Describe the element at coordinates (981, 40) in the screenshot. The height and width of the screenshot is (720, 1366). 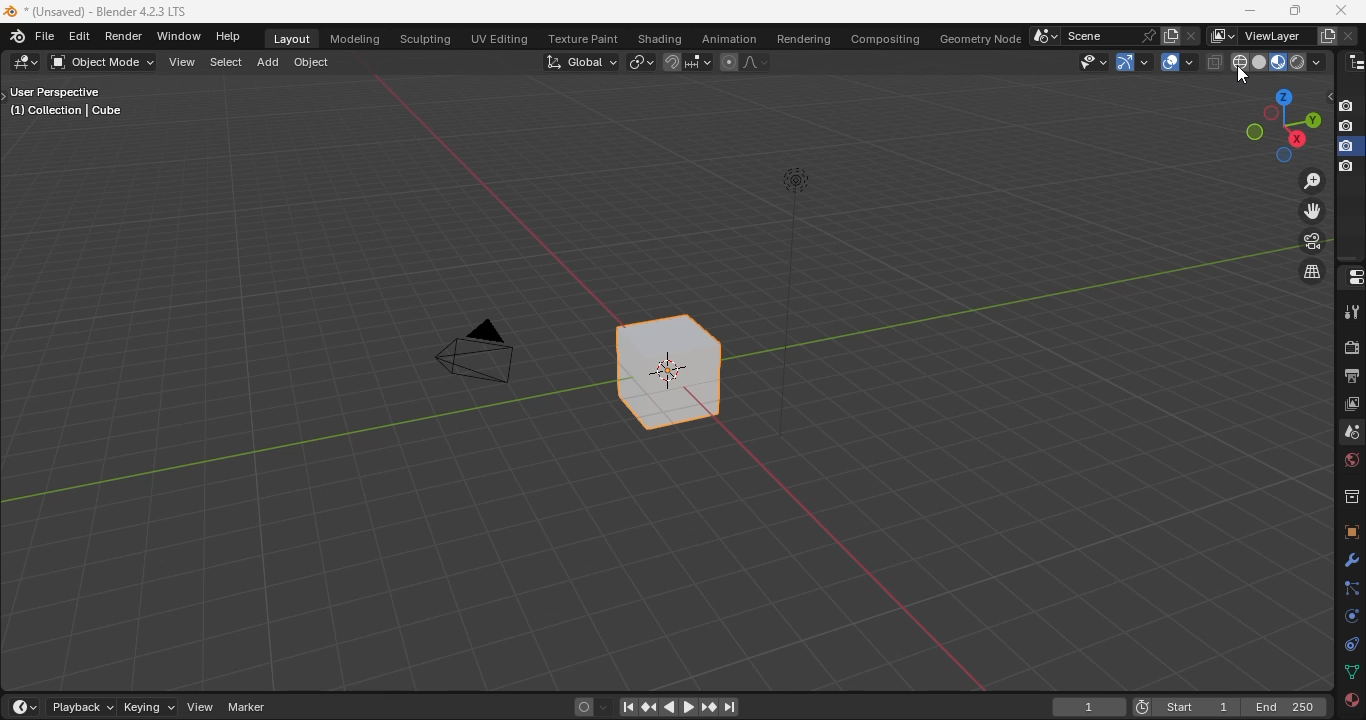
I see `geometry node` at that location.